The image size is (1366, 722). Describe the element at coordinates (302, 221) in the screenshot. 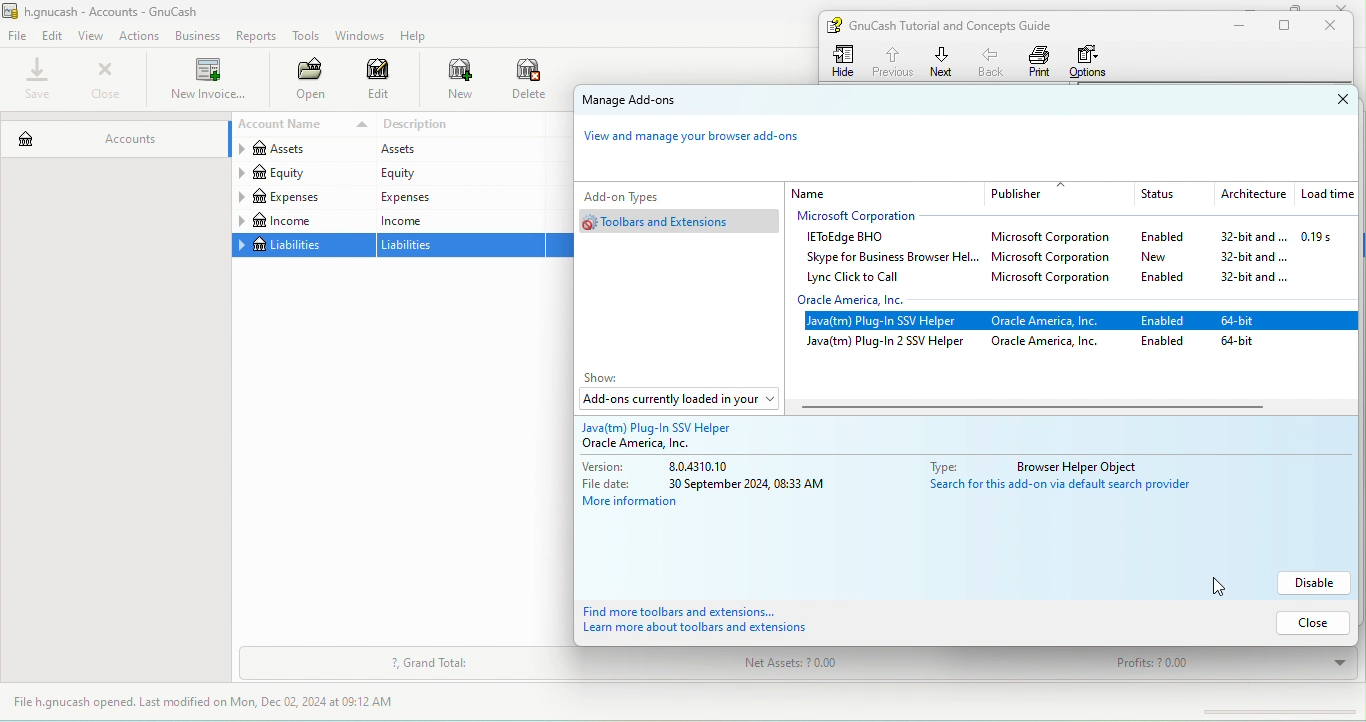

I see `income` at that location.